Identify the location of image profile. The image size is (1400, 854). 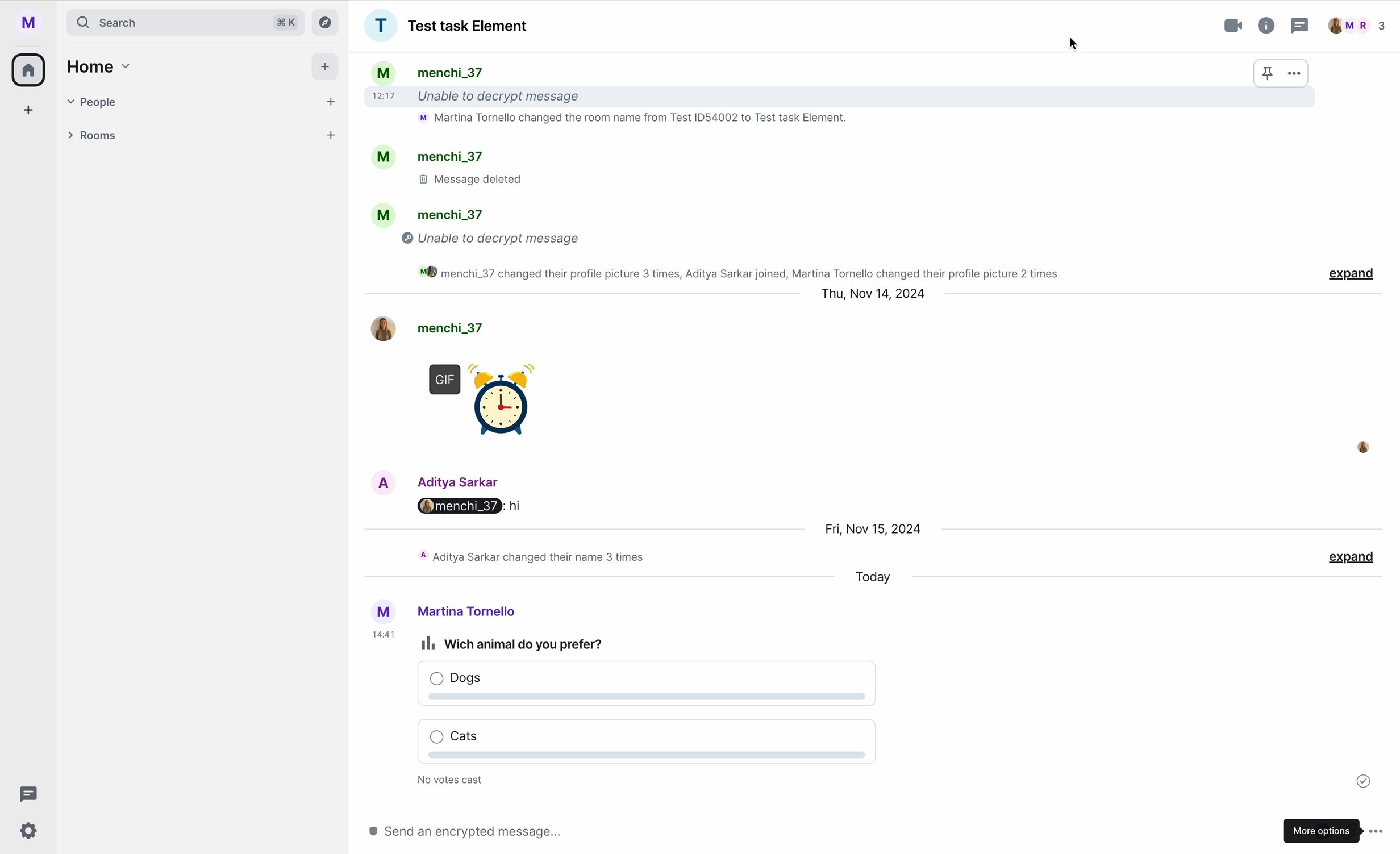
(1363, 447).